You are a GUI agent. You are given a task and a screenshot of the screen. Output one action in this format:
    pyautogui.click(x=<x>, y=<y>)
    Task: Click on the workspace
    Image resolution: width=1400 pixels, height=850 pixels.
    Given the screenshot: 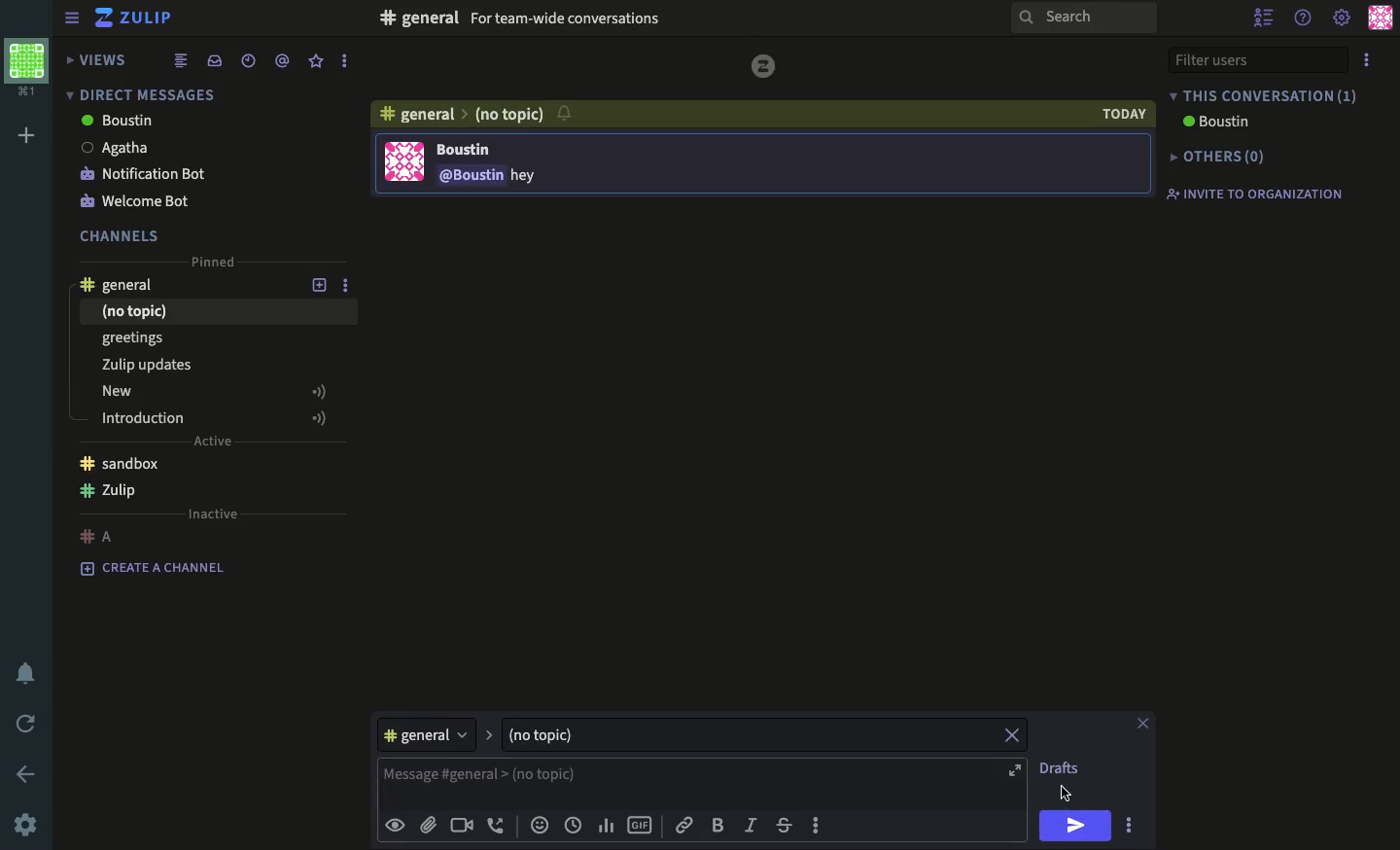 What is the action you would take?
    pyautogui.click(x=30, y=66)
    